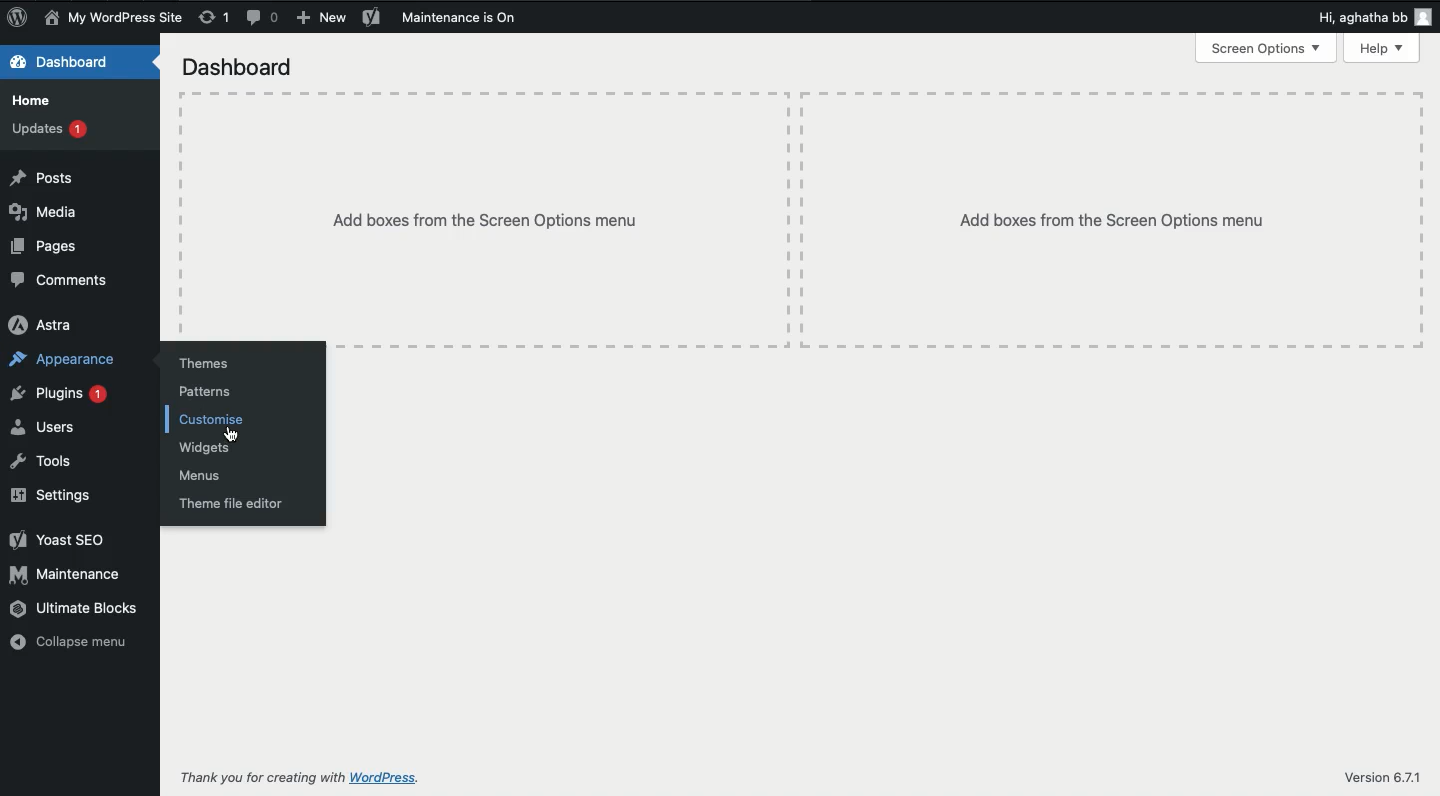 The image size is (1440, 796). I want to click on Settings, so click(49, 493).